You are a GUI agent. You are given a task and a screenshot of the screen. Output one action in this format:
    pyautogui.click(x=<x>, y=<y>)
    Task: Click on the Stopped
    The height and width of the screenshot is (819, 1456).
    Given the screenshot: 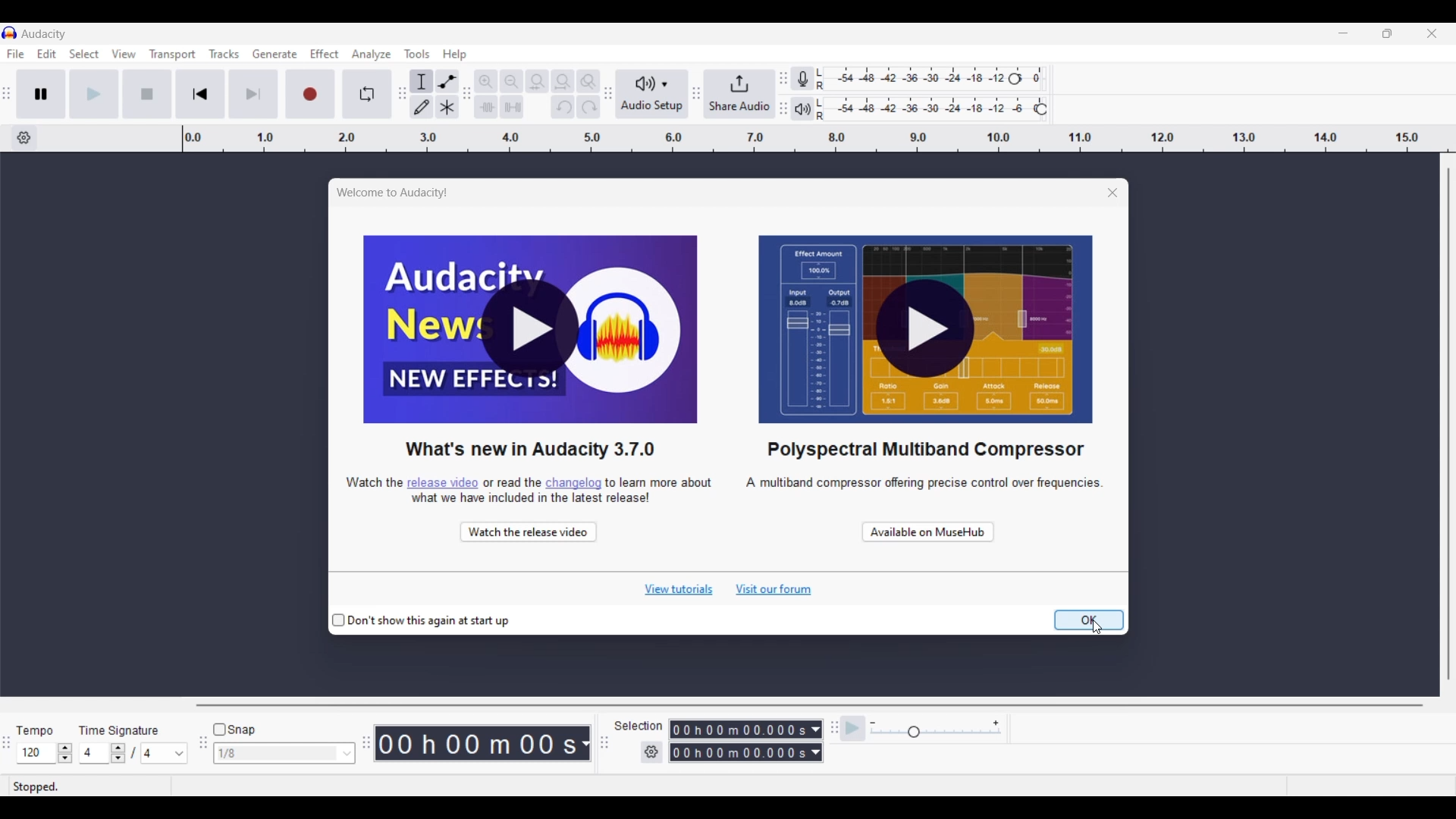 What is the action you would take?
    pyautogui.click(x=89, y=786)
    